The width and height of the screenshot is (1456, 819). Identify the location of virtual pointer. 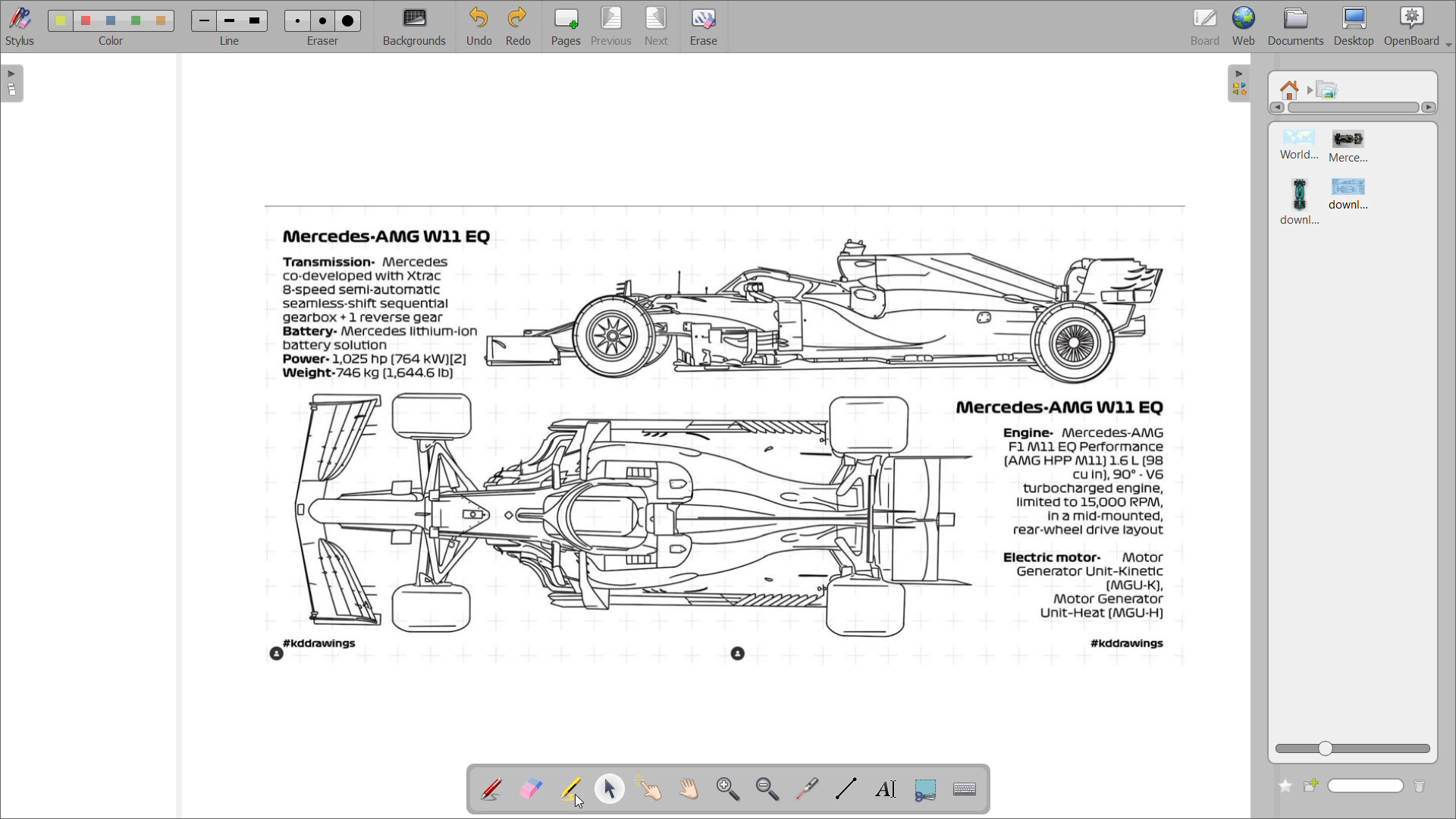
(808, 789).